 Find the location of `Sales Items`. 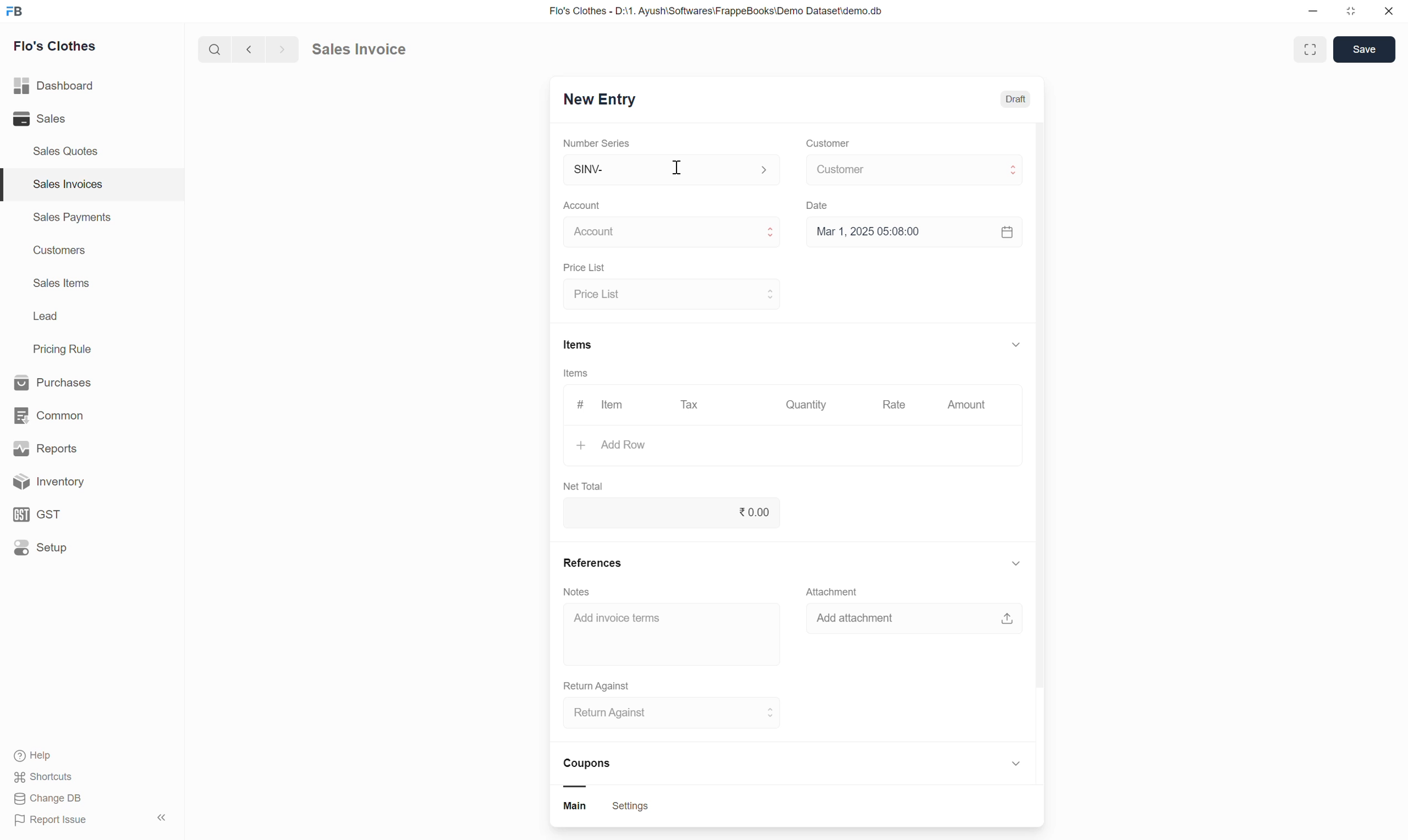

Sales Items is located at coordinates (62, 284).